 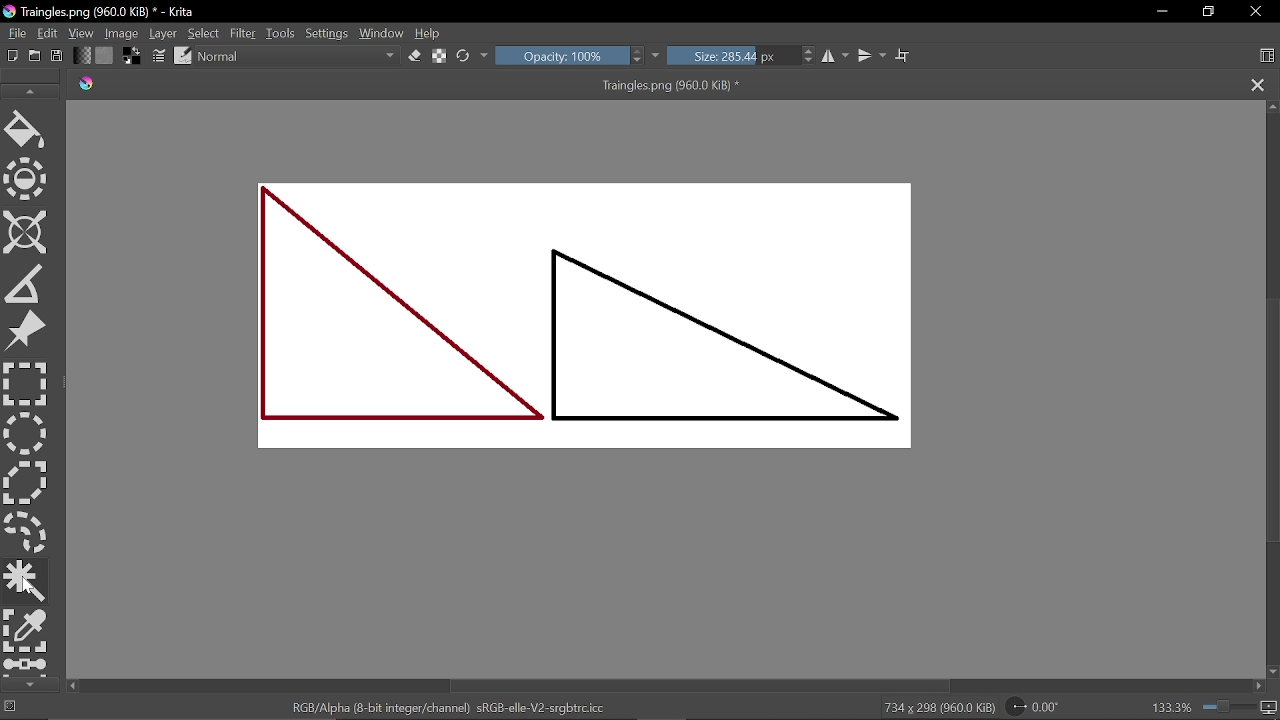 I want to click on Choose workspace, so click(x=1269, y=55).